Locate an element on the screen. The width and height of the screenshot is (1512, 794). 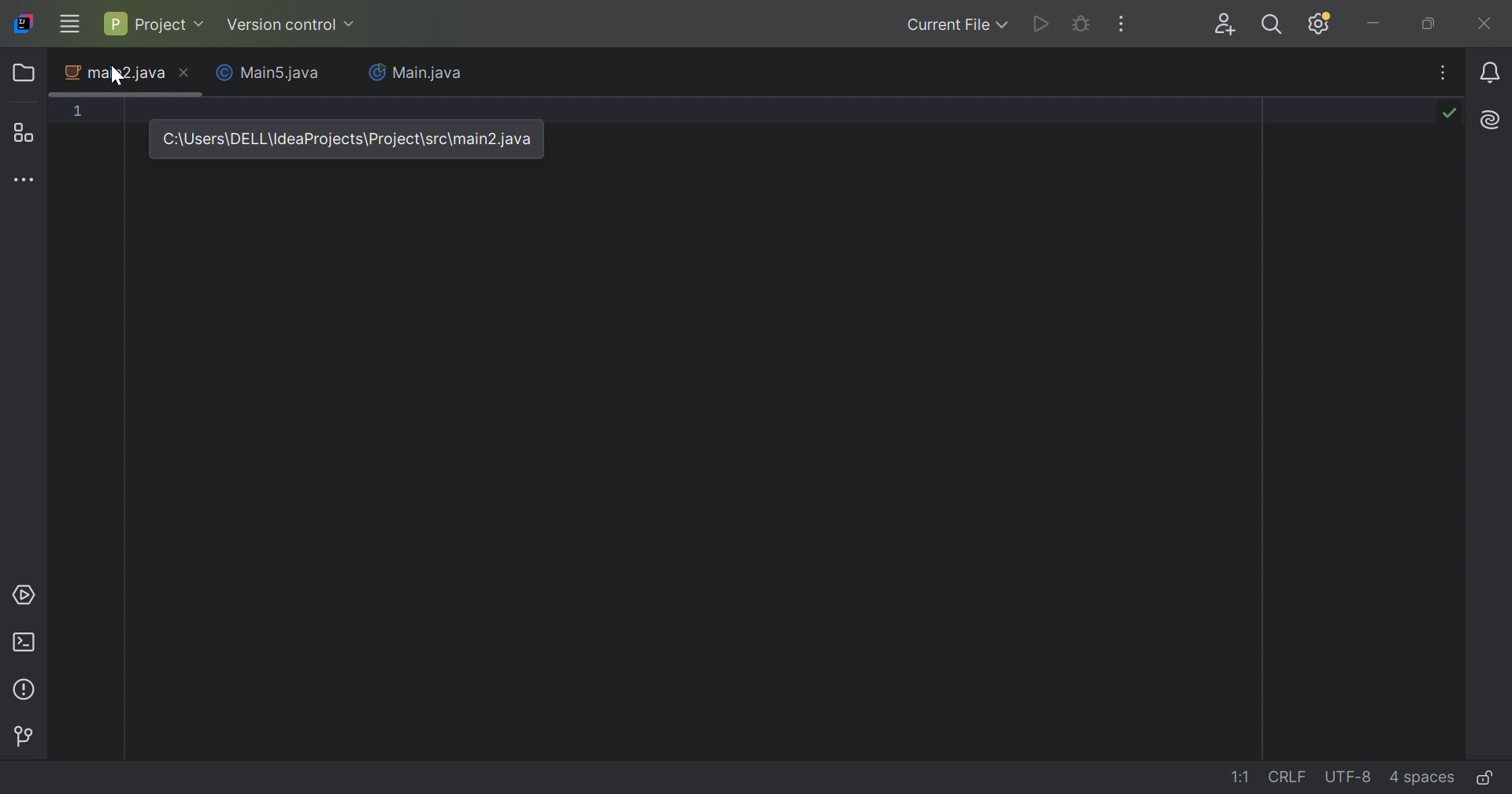
line separator: \r\n is located at coordinates (1288, 777).